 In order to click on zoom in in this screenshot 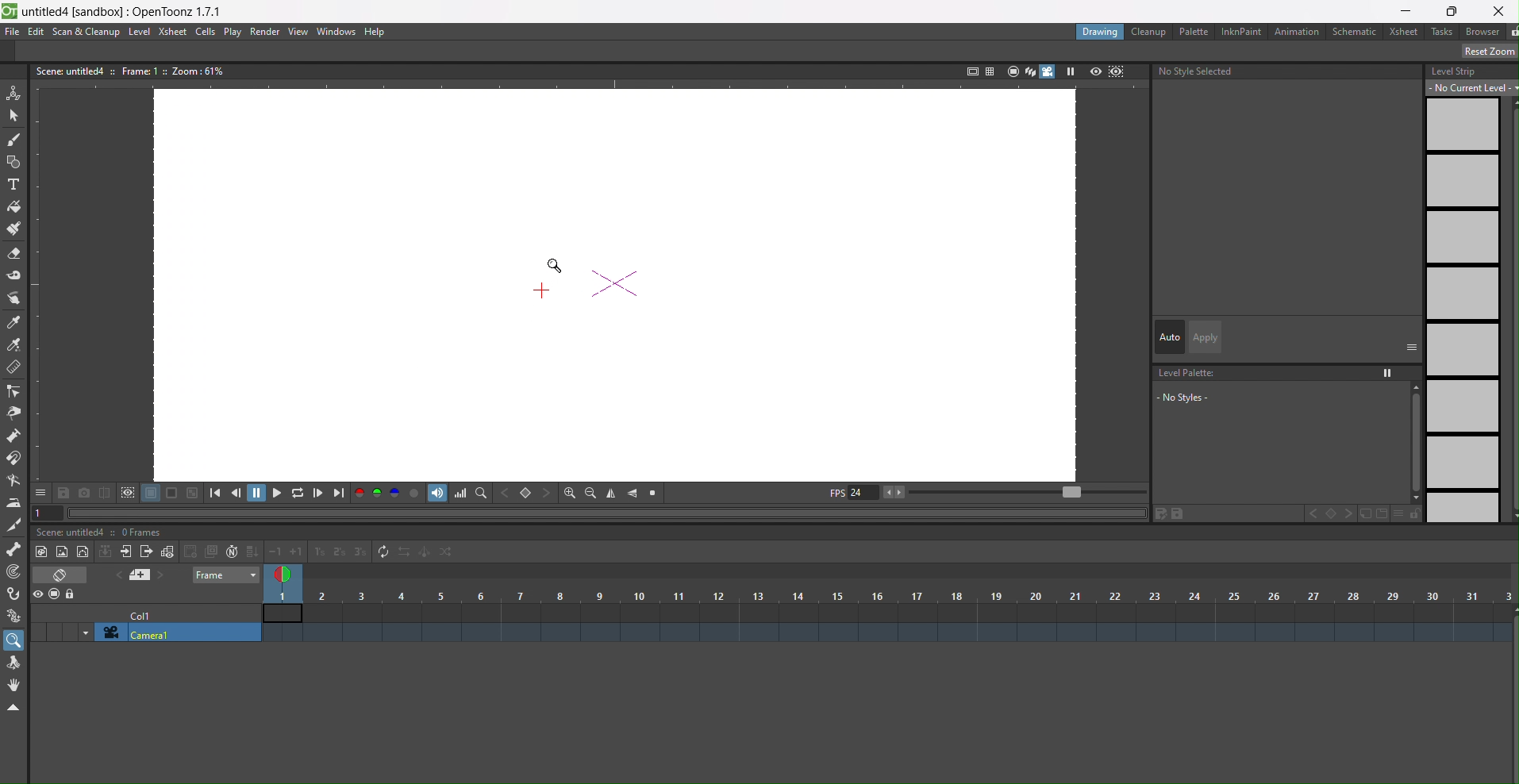, I will do `click(565, 491)`.